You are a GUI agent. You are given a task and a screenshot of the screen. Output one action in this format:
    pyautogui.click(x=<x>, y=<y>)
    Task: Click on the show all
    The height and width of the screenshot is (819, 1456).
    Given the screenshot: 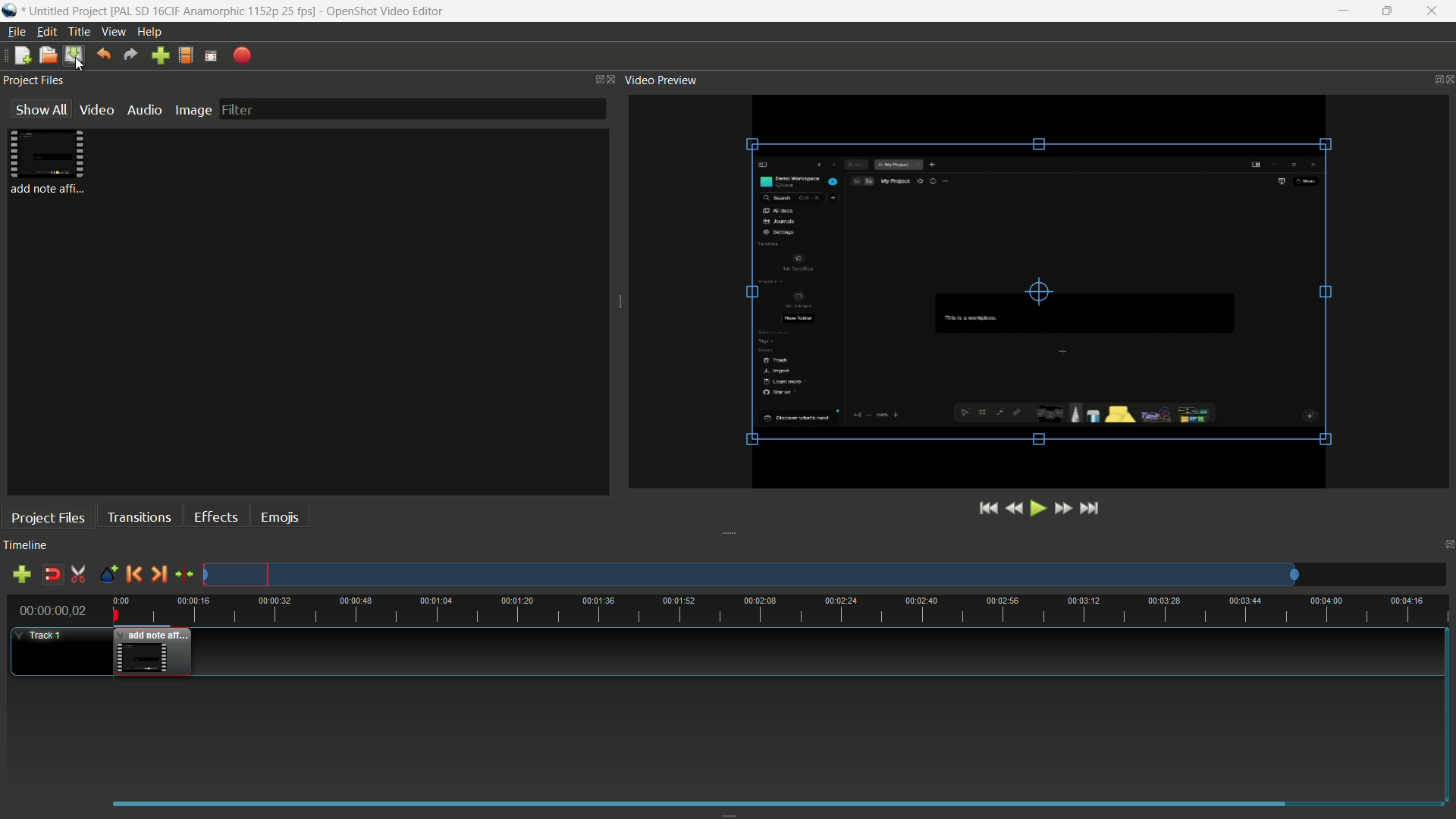 What is the action you would take?
    pyautogui.click(x=40, y=108)
    